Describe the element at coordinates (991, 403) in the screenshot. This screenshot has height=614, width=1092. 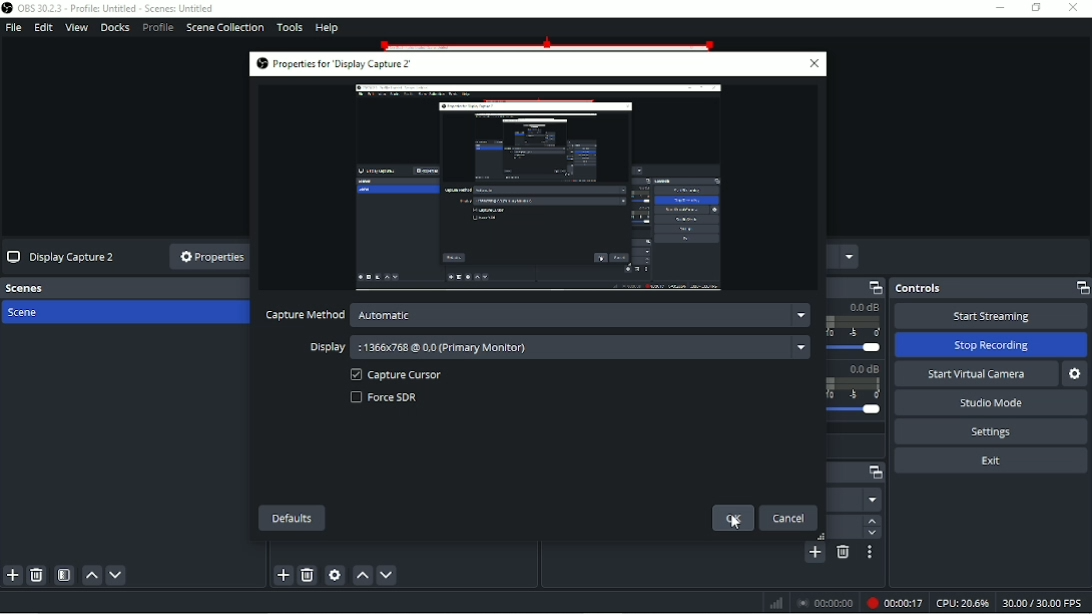
I see `Studio mode` at that location.